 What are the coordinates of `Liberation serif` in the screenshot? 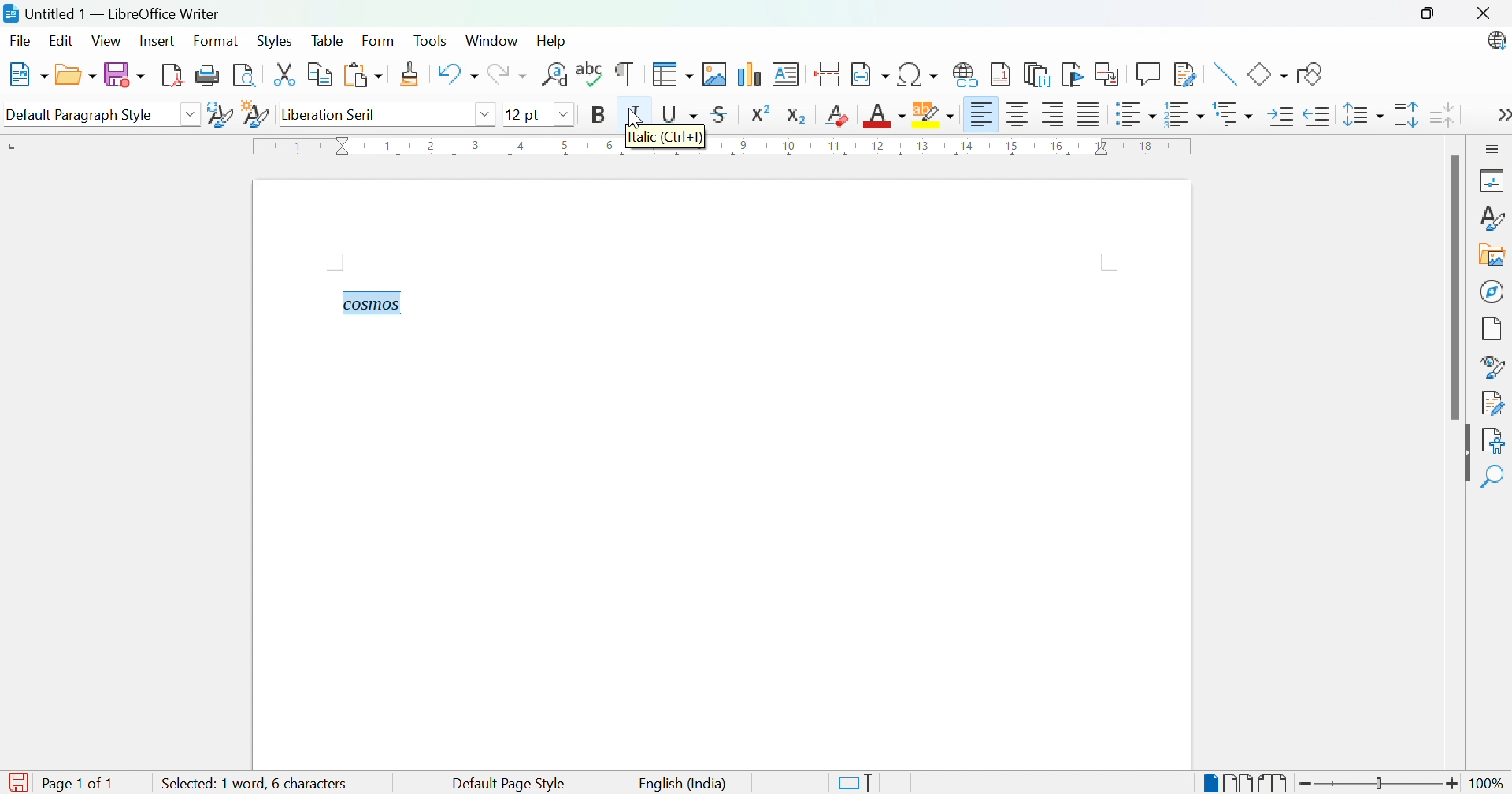 It's located at (331, 115).